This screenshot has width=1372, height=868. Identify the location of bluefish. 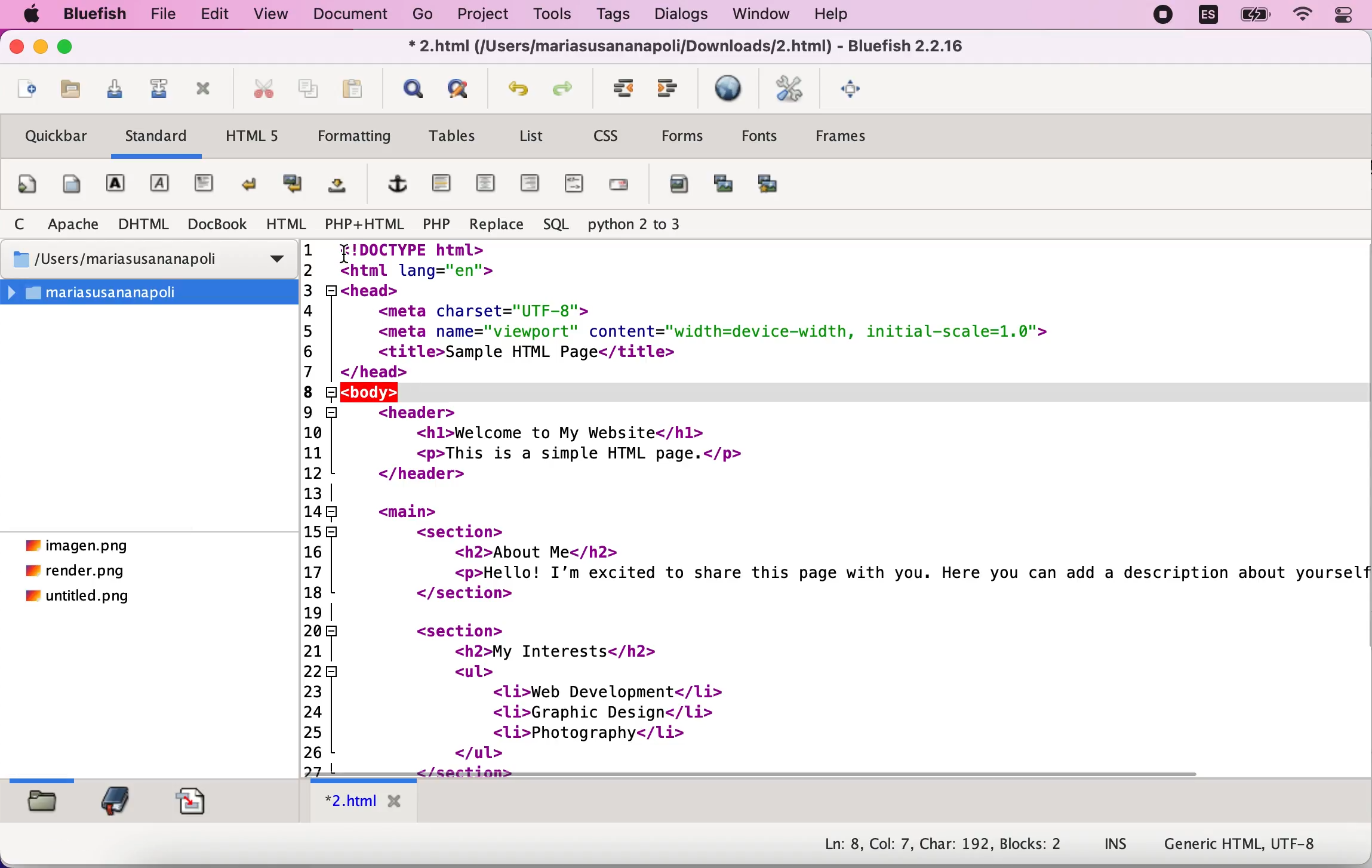
(94, 14).